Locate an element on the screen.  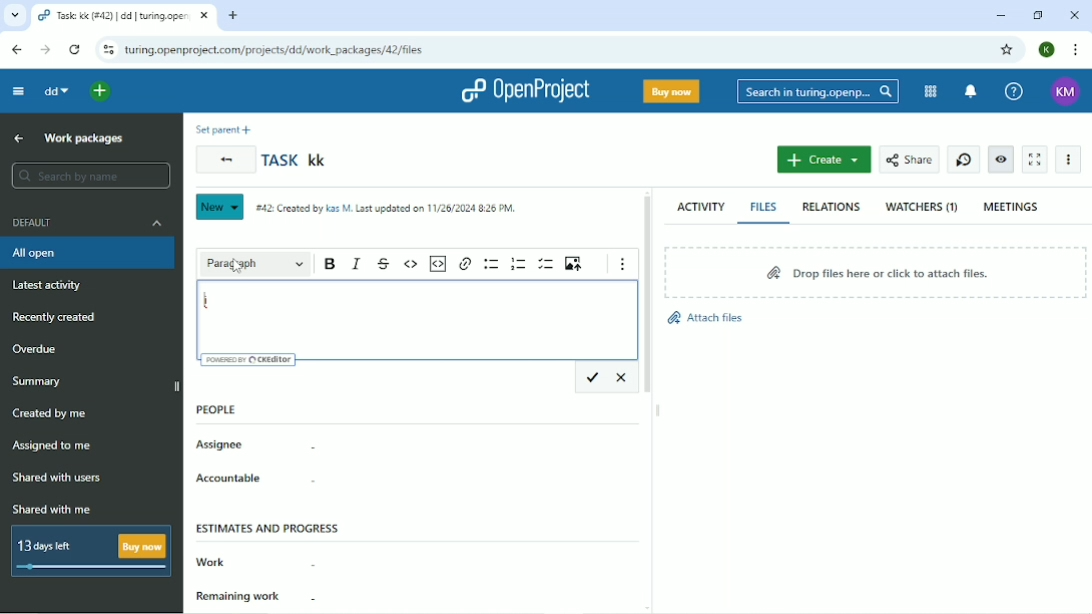
Back is located at coordinates (225, 159).